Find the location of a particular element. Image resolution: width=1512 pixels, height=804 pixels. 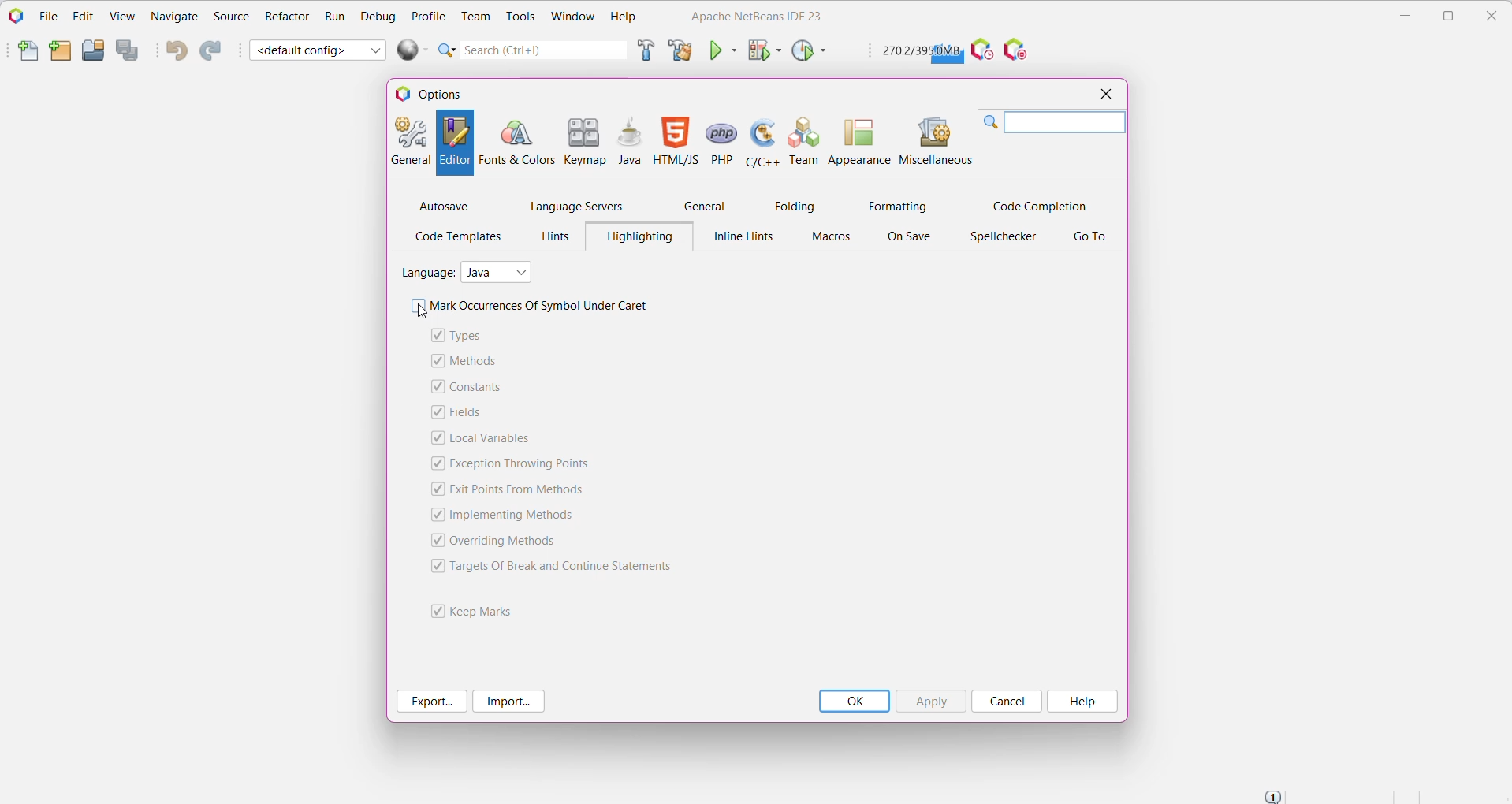

Pause I/O Checks is located at coordinates (1019, 50).